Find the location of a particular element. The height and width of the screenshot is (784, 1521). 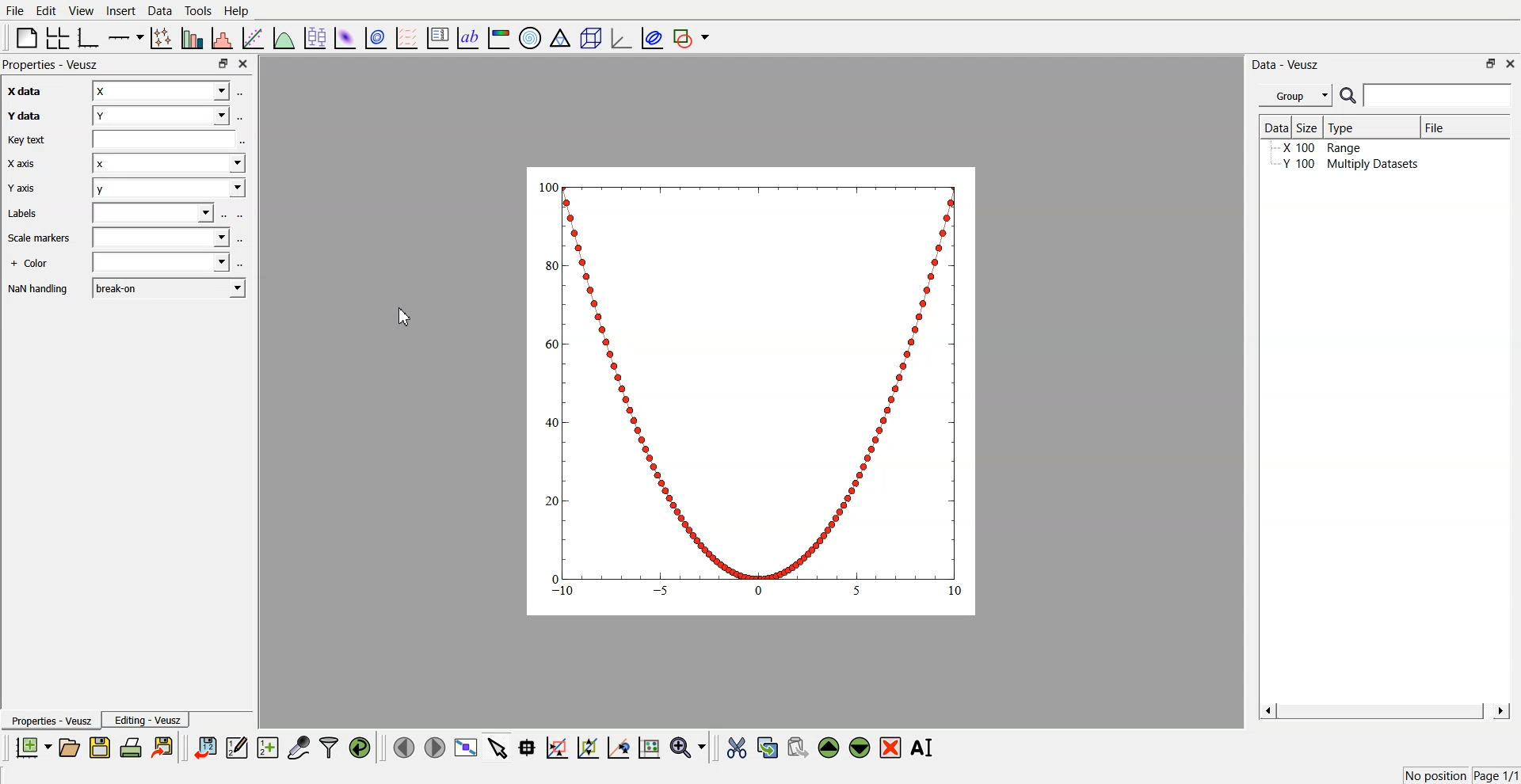

graphs charts is located at coordinates (752, 390).